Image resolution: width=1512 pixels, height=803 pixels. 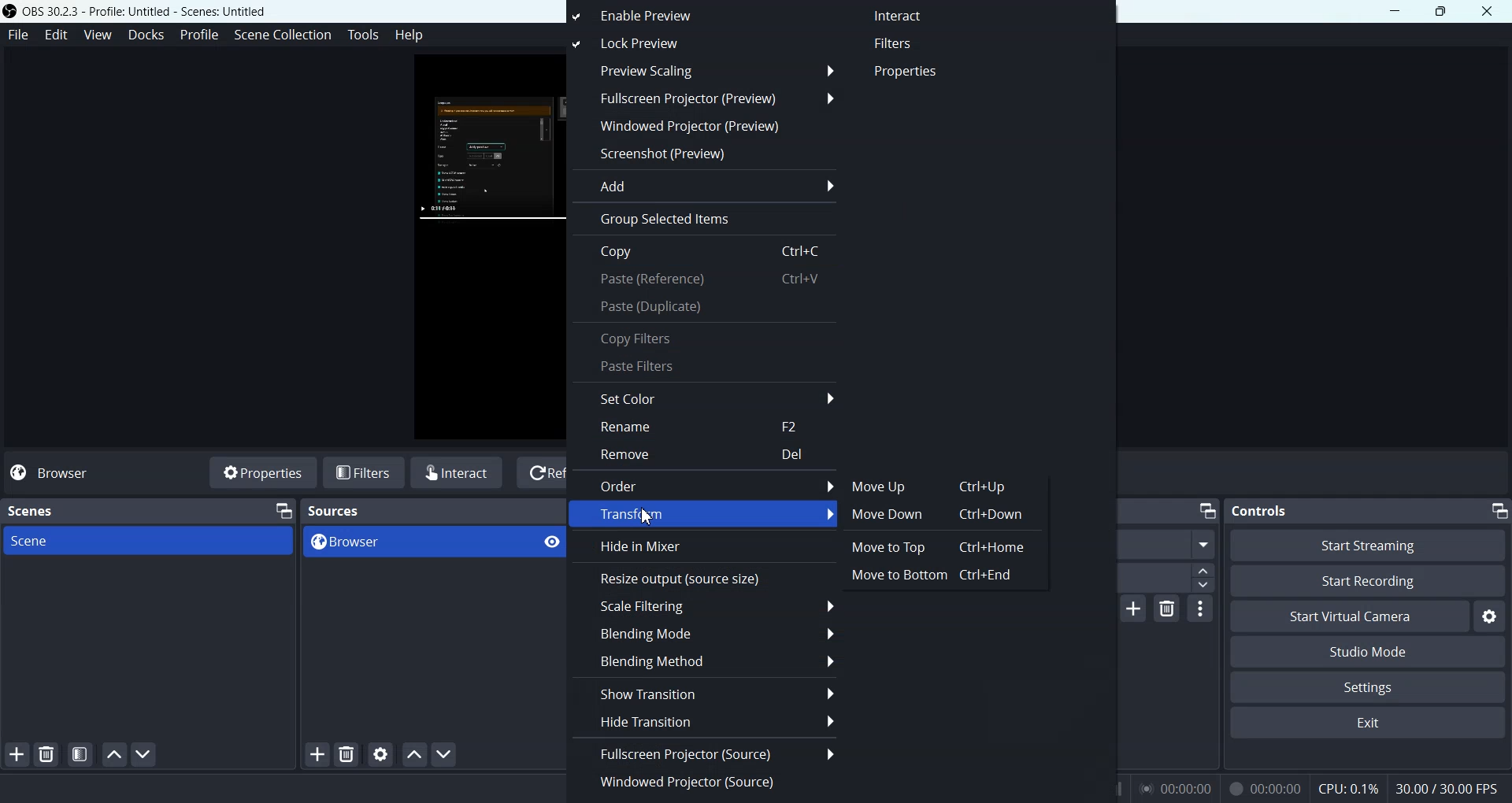 I want to click on Help, so click(x=409, y=37).